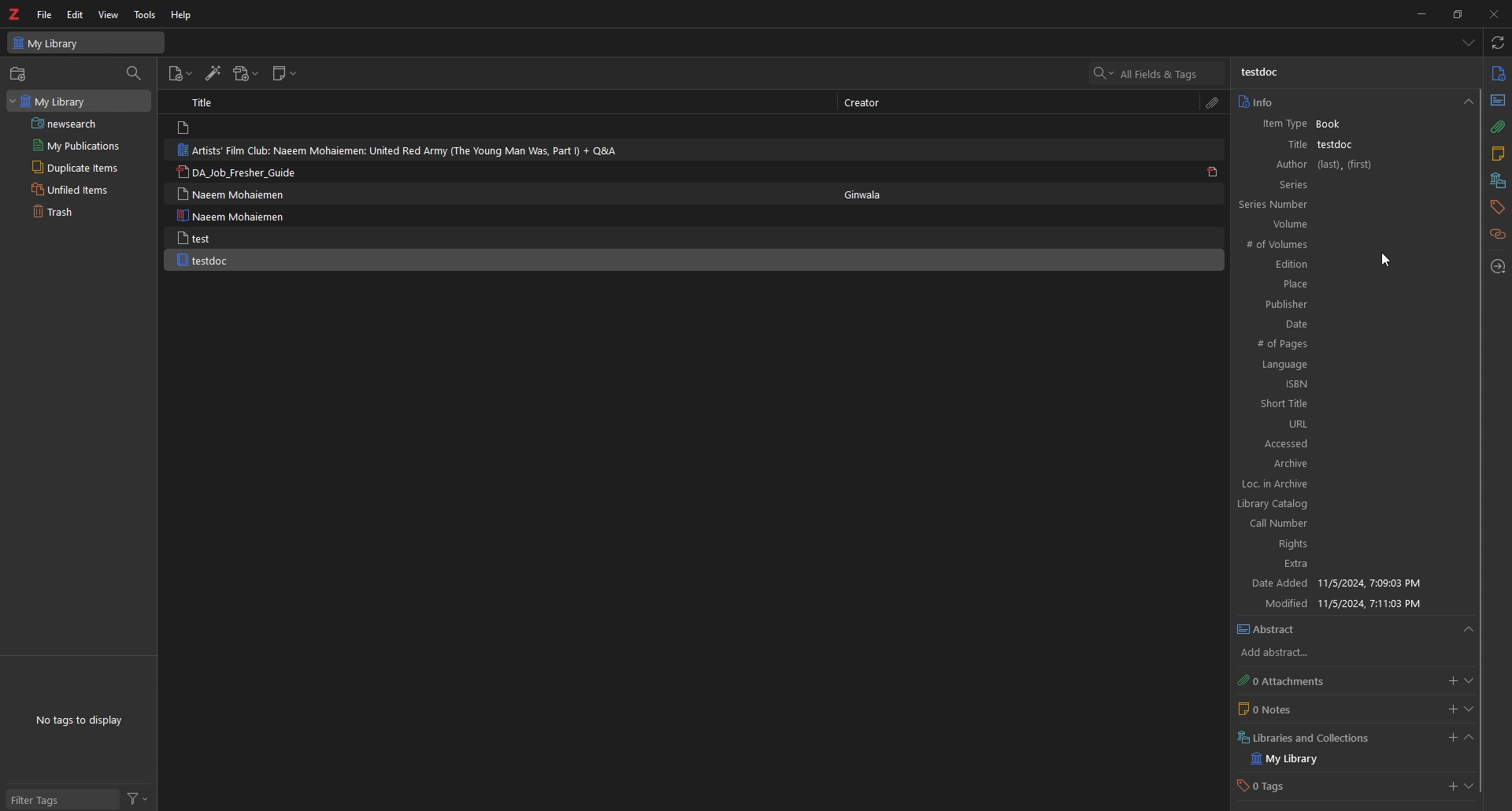 This screenshot has width=1512, height=811. I want to click on add Attachment, so click(1449, 678).